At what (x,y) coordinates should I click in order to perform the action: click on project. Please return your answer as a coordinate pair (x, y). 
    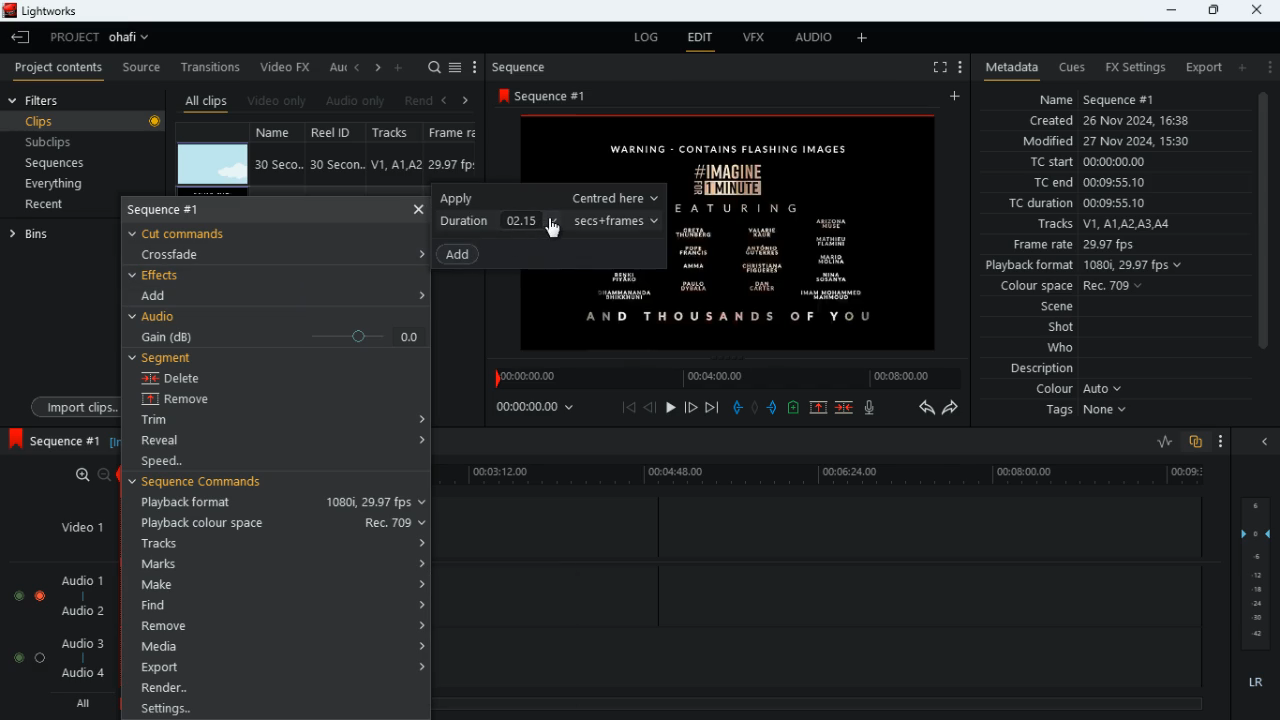
    Looking at the image, I should click on (104, 37).